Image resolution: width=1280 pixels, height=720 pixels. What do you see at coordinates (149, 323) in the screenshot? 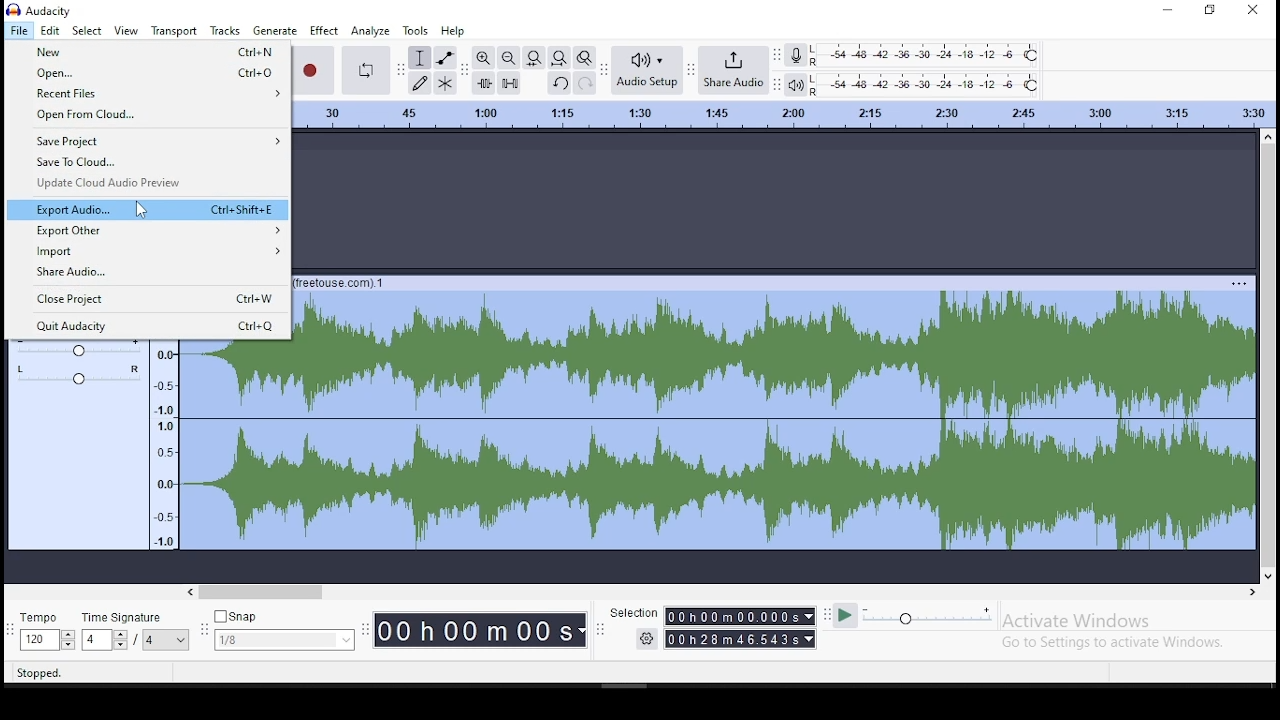
I see `quit audacity` at bounding box center [149, 323].